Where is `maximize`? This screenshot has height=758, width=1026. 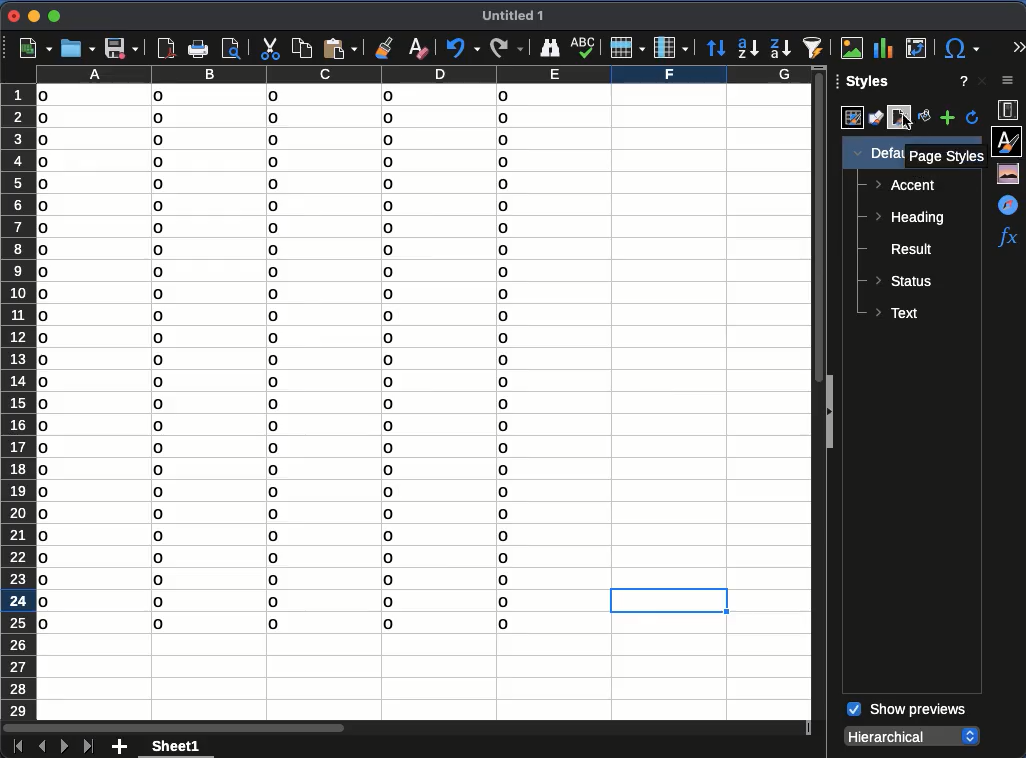
maximize is located at coordinates (56, 17).